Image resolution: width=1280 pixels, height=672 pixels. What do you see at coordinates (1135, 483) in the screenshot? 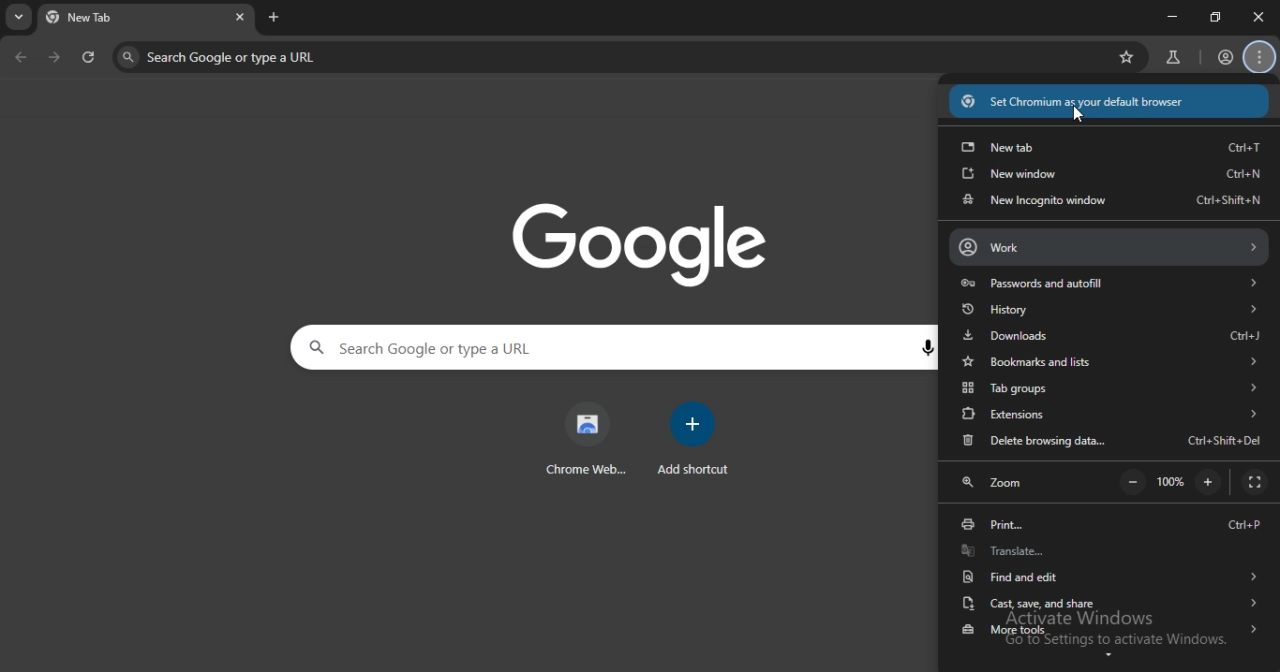
I see `zoom out` at bounding box center [1135, 483].